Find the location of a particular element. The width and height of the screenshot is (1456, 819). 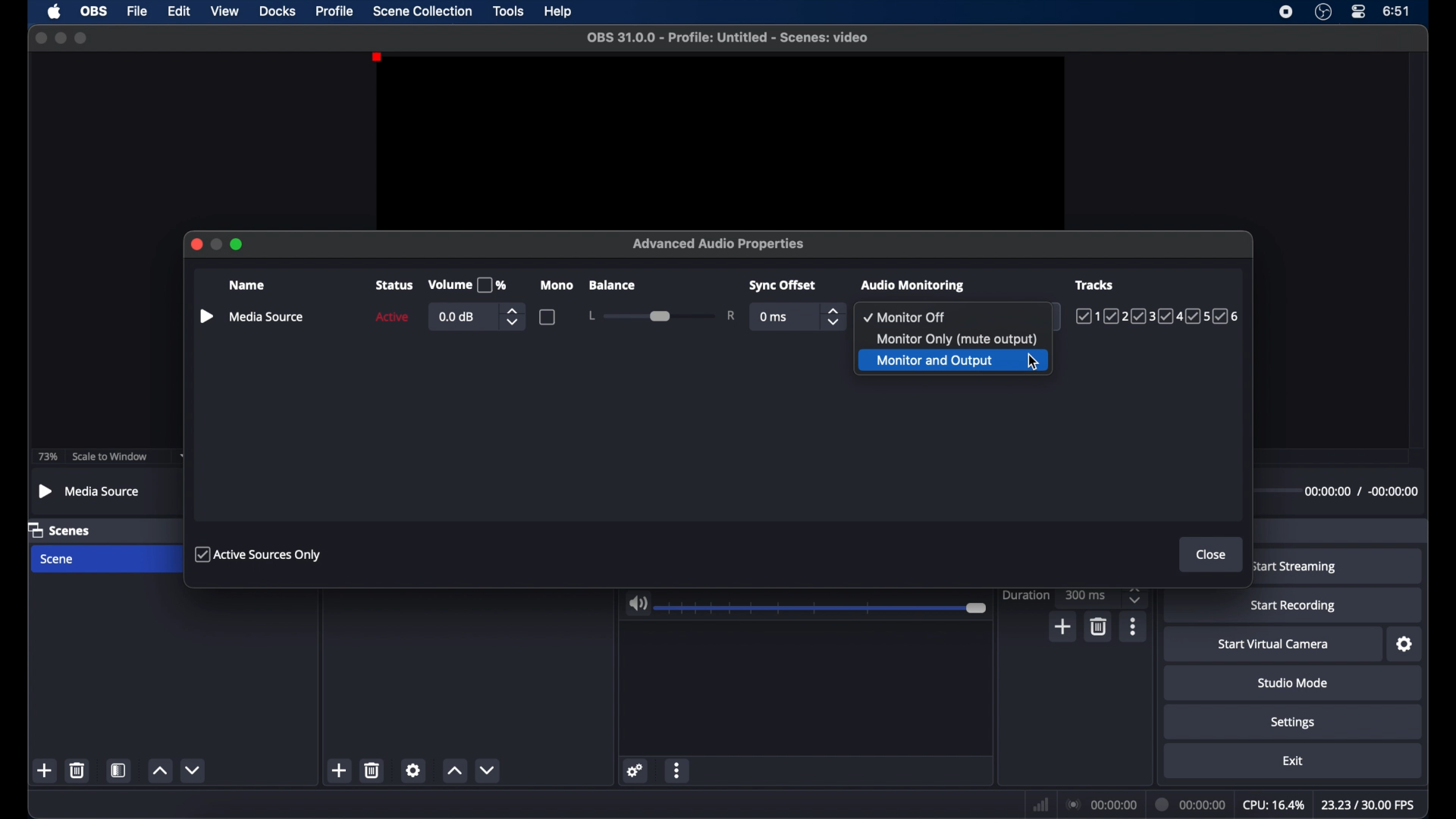

add is located at coordinates (340, 770).